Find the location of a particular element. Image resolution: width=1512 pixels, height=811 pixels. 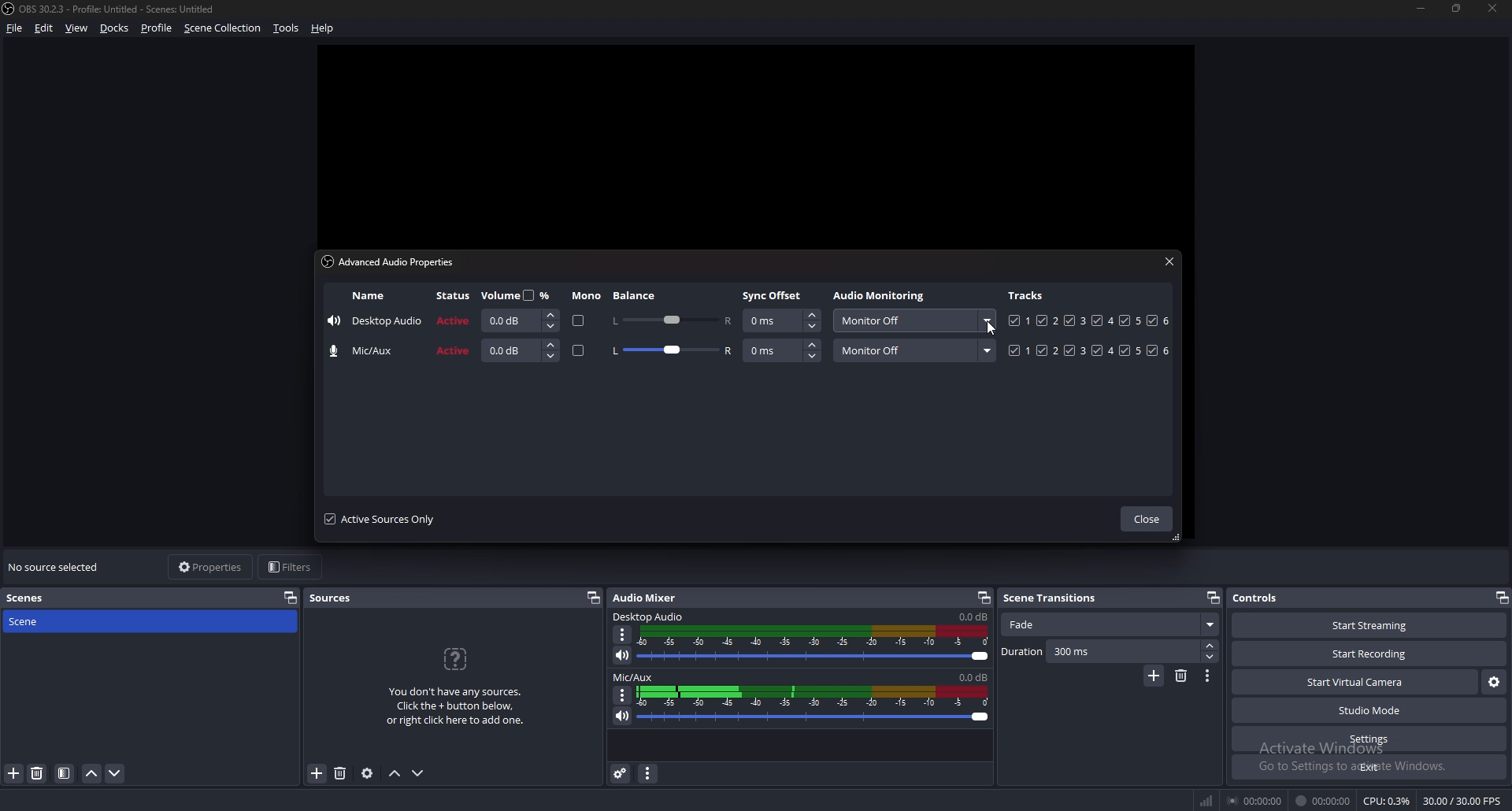

move sources down is located at coordinates (419, 773).